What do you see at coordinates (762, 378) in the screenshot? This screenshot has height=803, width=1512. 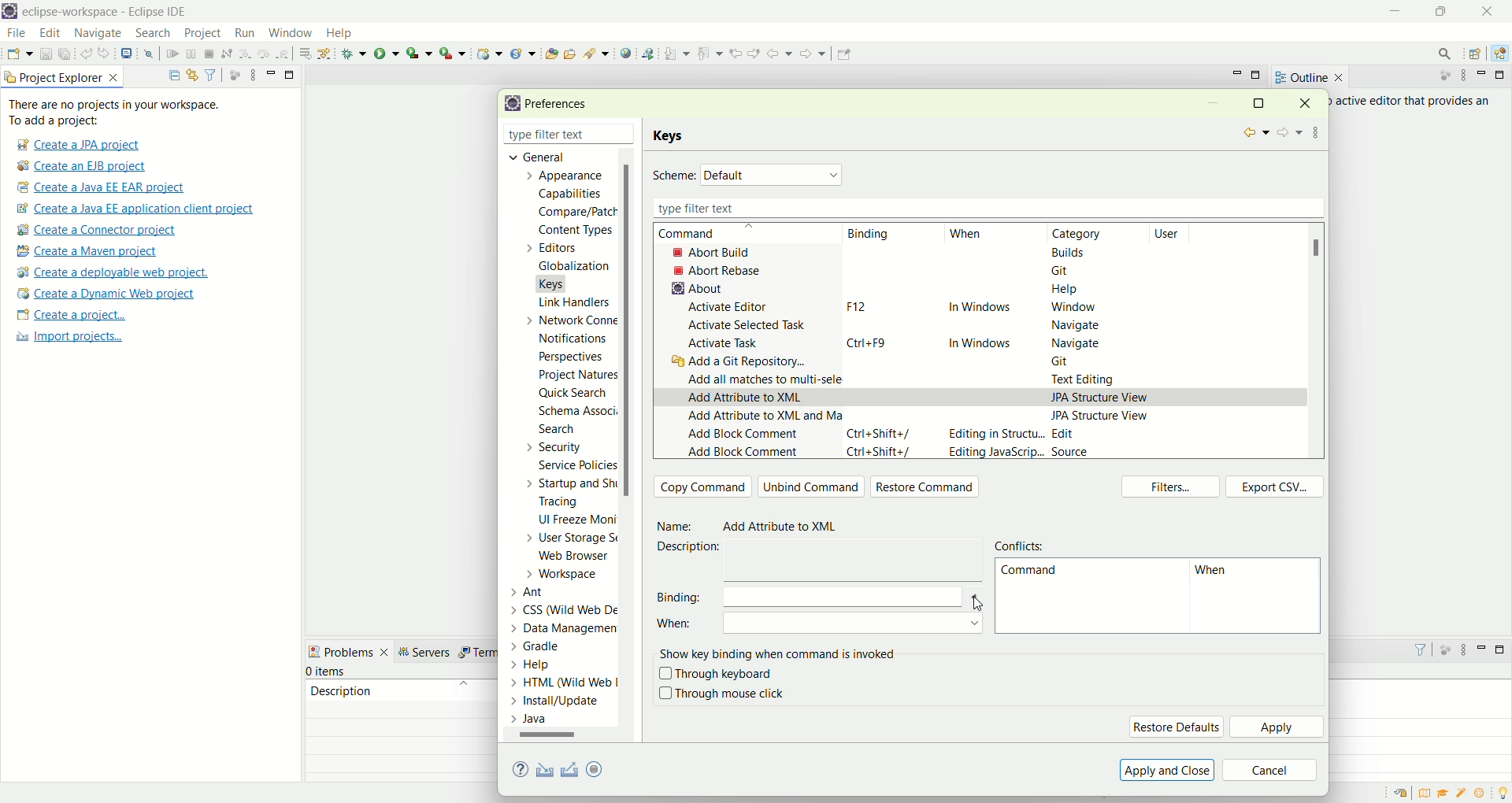 I see `add all matches to multi-selection` at bounding box center [762, 378].